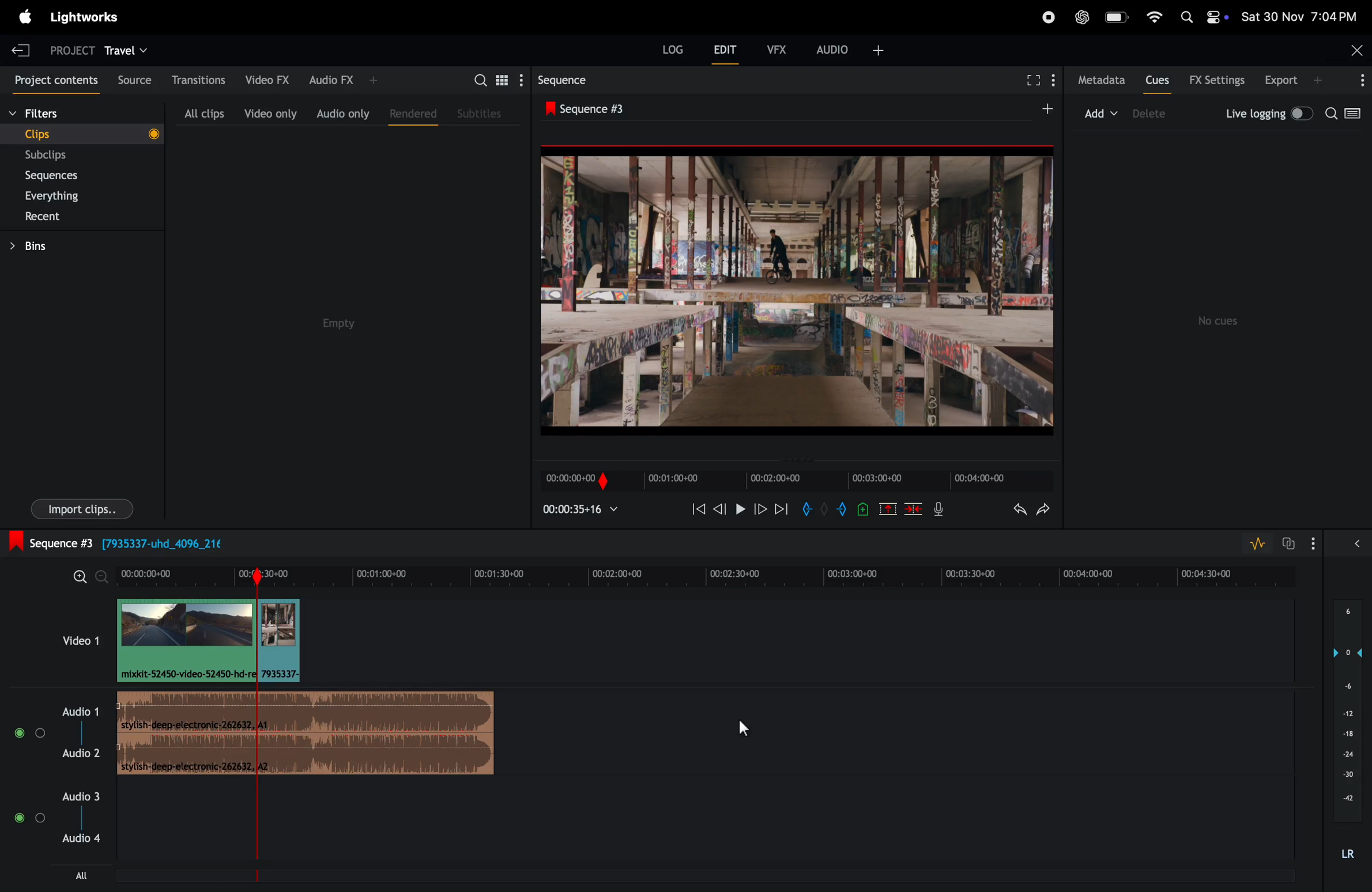 The height and width of the screenshot is (892, 1372). I want to click on -18 (layers), so click(1345, 735).